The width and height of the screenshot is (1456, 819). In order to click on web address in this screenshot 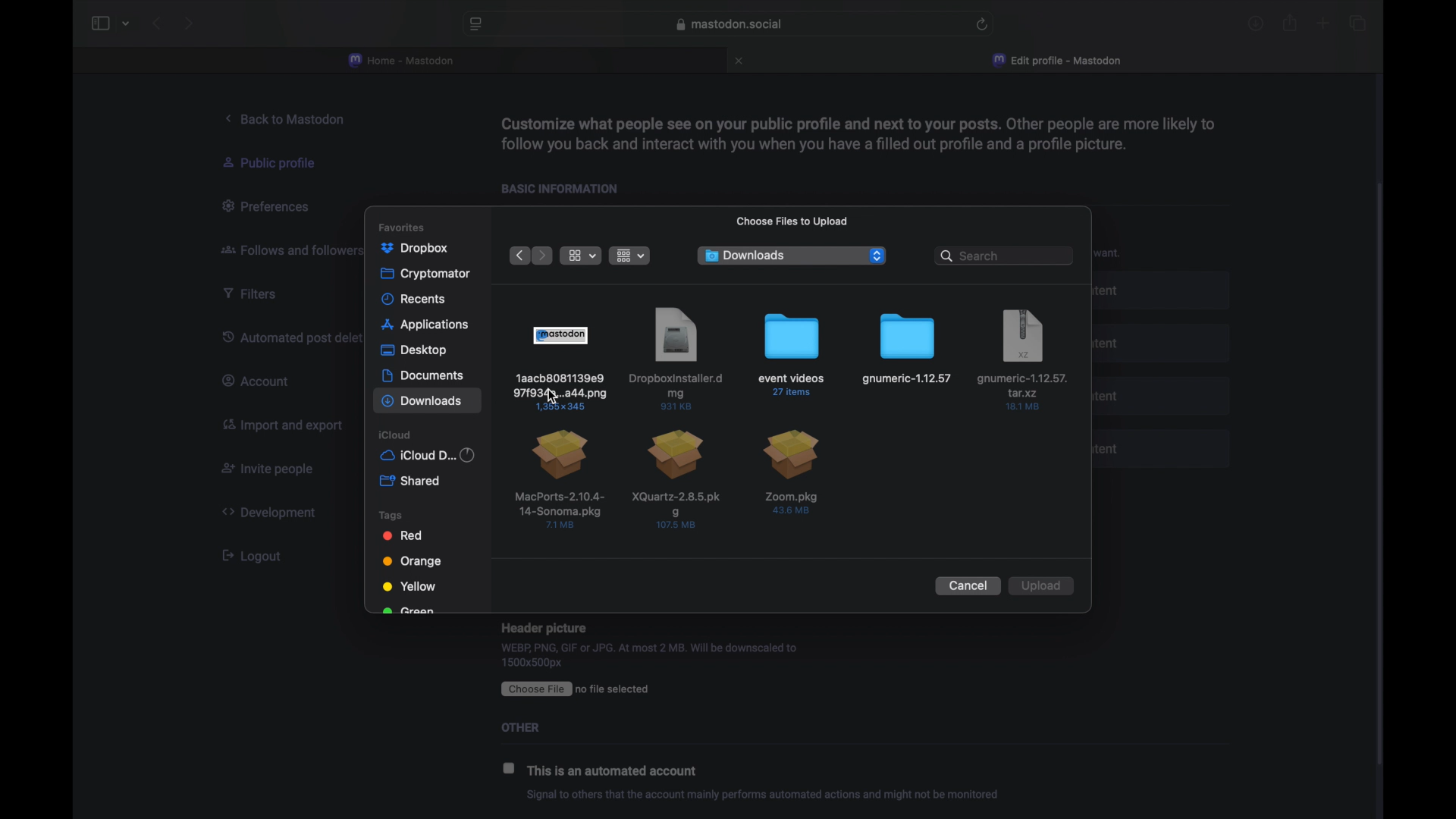, I will do `click(729, 24)`.